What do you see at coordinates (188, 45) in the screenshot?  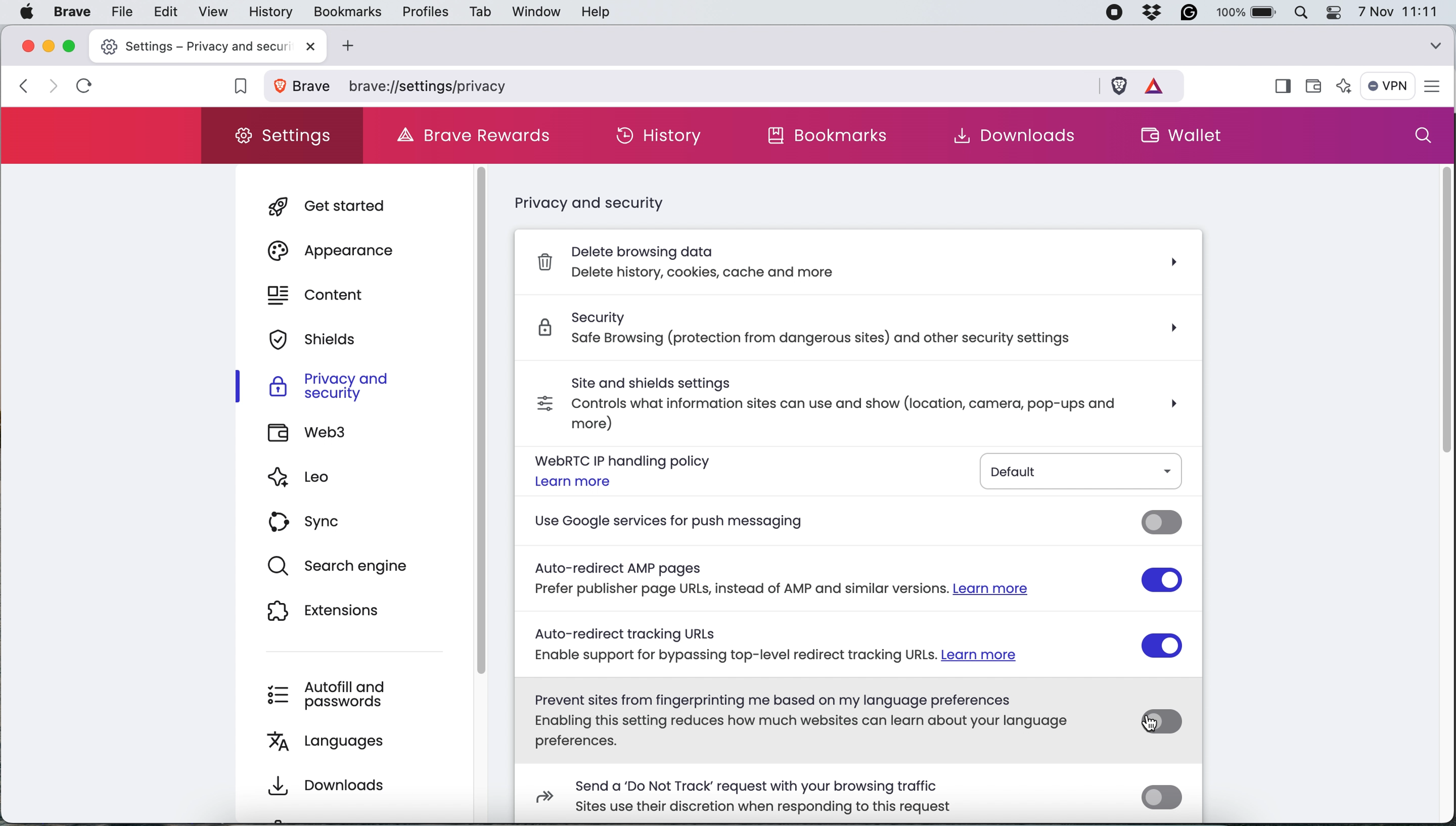 I see `new tab` at bounding box center [188, 45].